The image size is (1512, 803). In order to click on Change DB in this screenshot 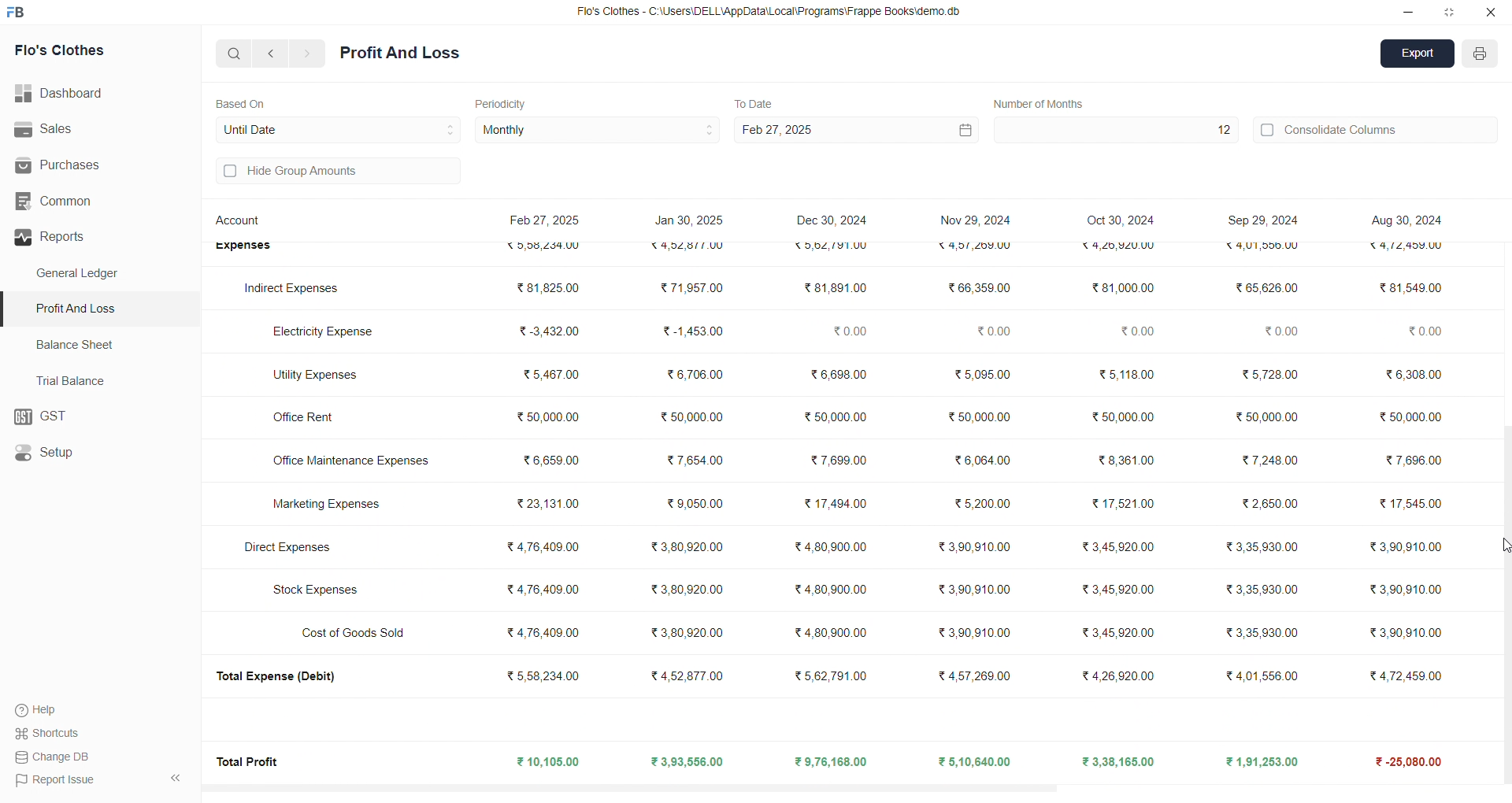, I will do `click(56, 757)`.